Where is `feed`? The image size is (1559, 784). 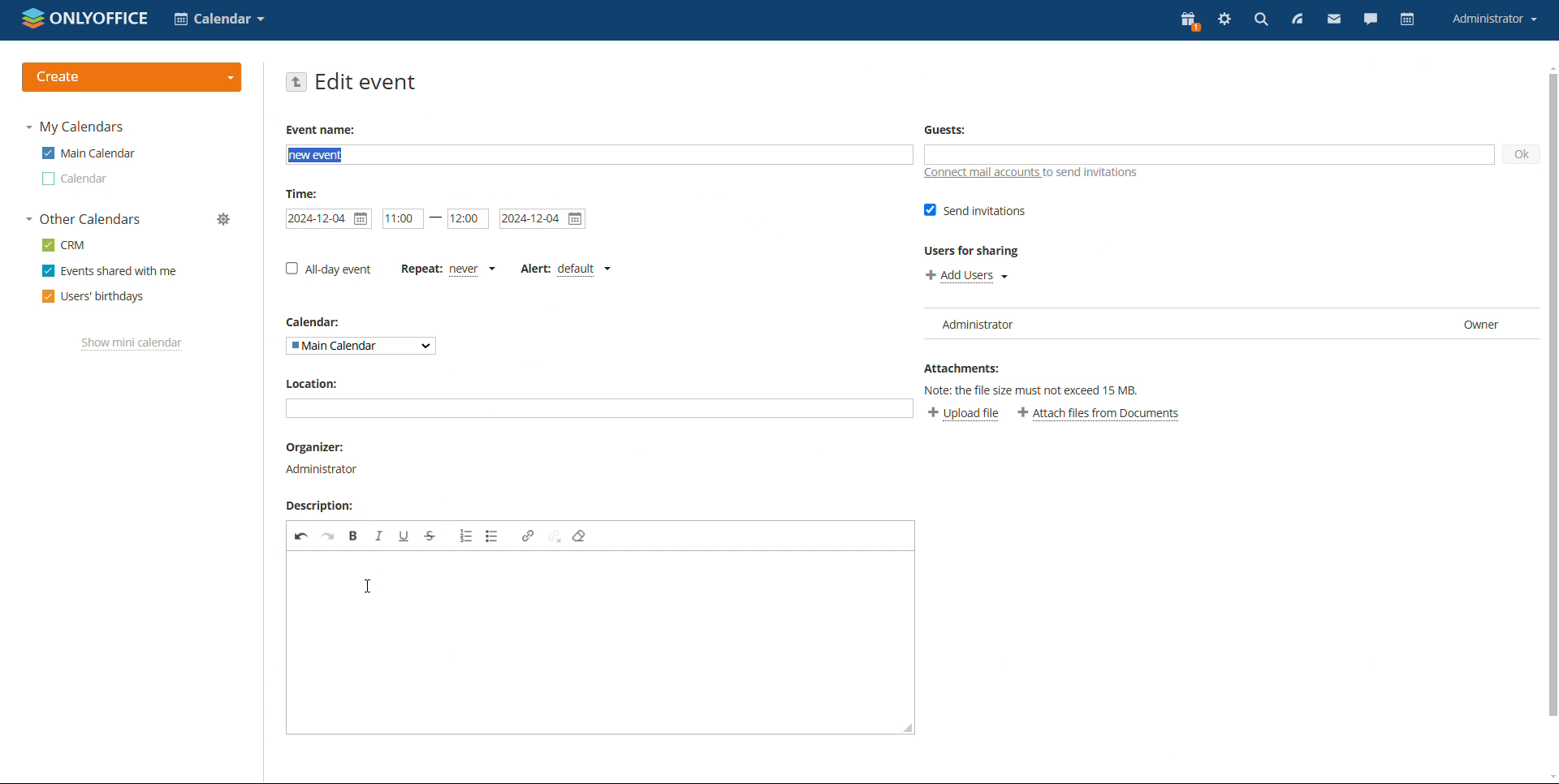
feed is located at coordinates (1298, 20).